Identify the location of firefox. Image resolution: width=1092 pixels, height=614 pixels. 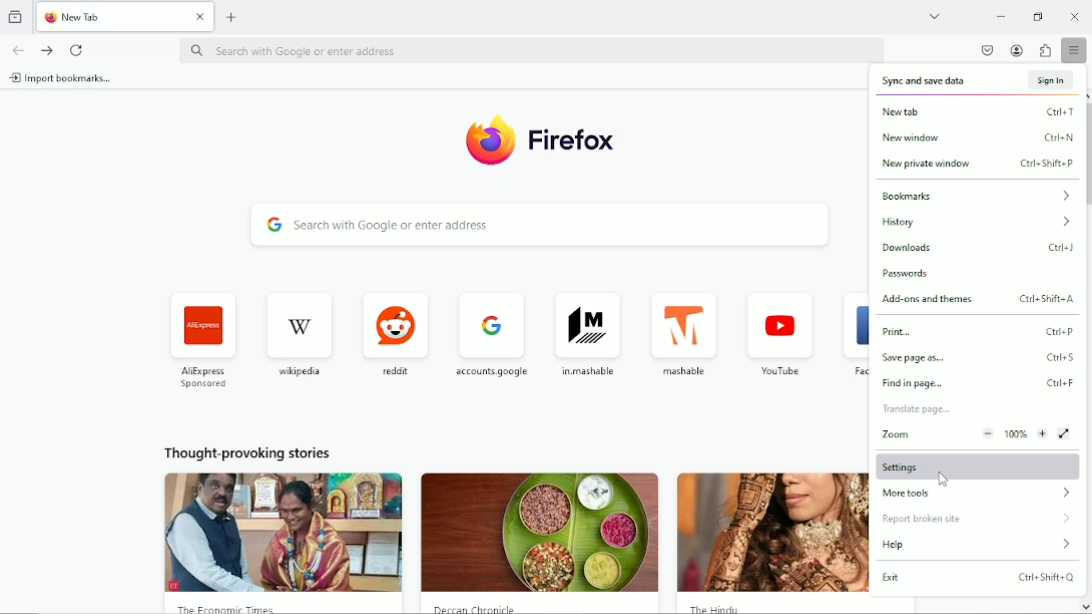
(578, 142).